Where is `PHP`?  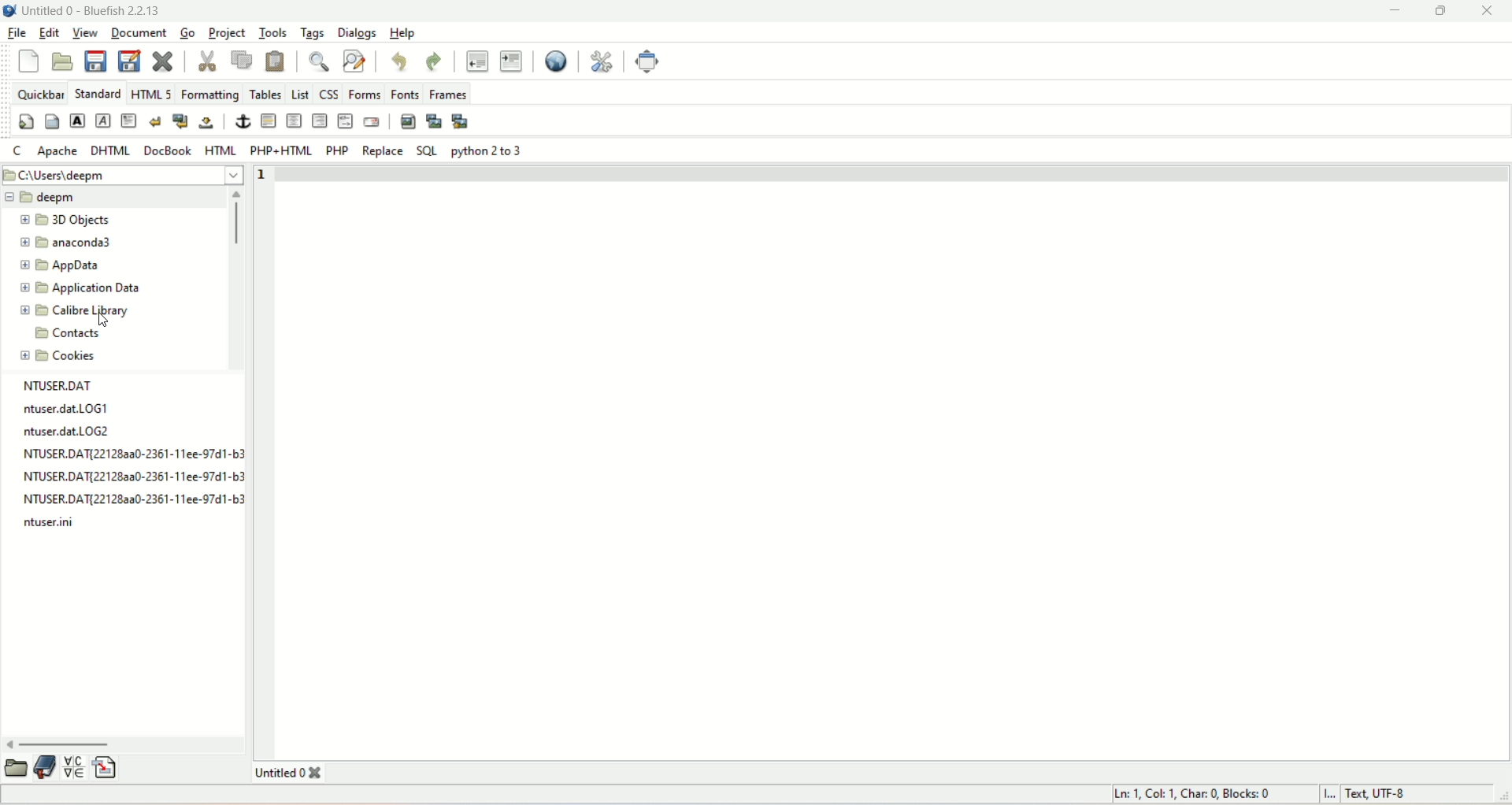
PHP is located at coordinates (339, 151).